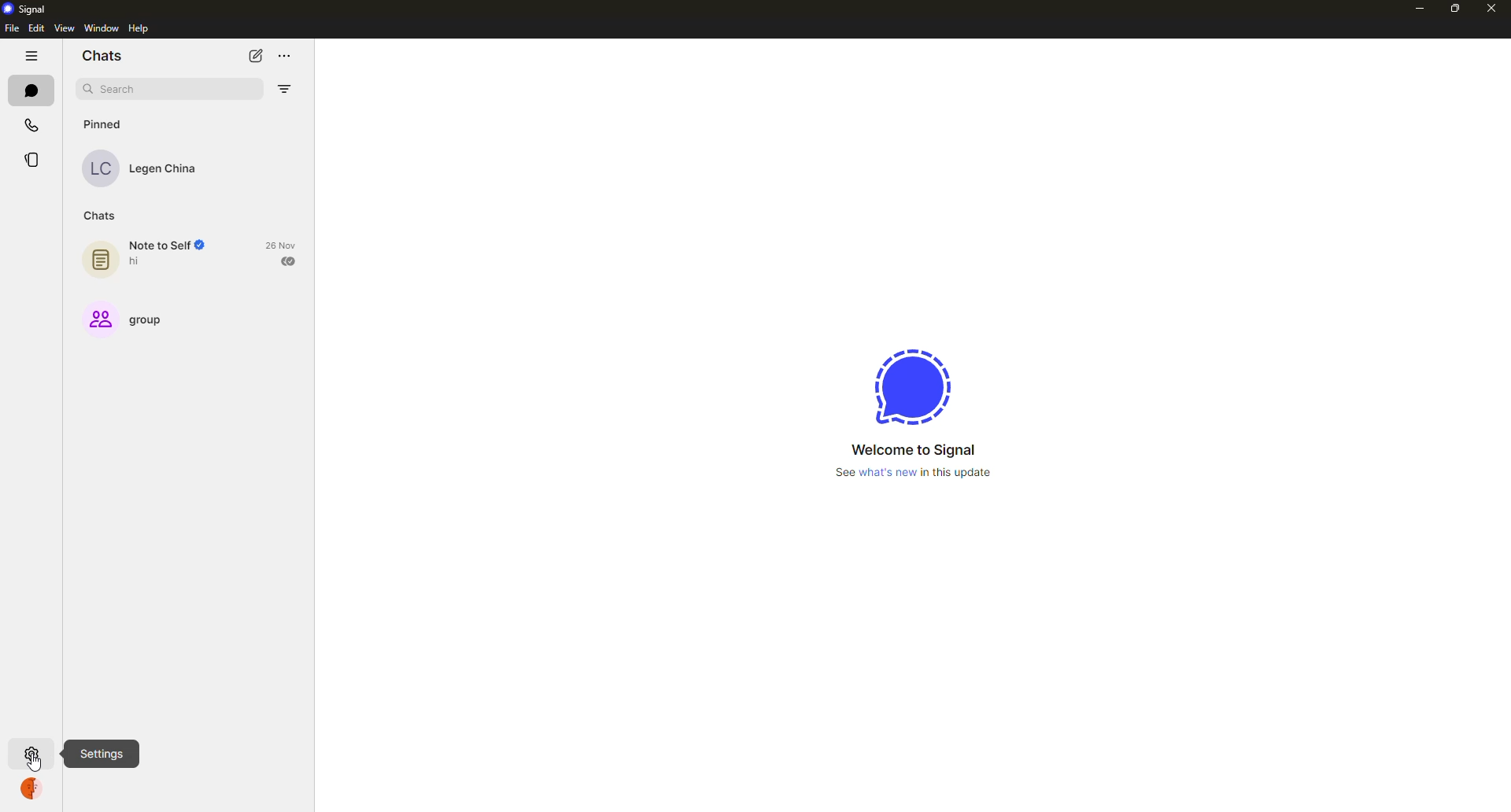  I want to click on what's new, so click(916, 472).